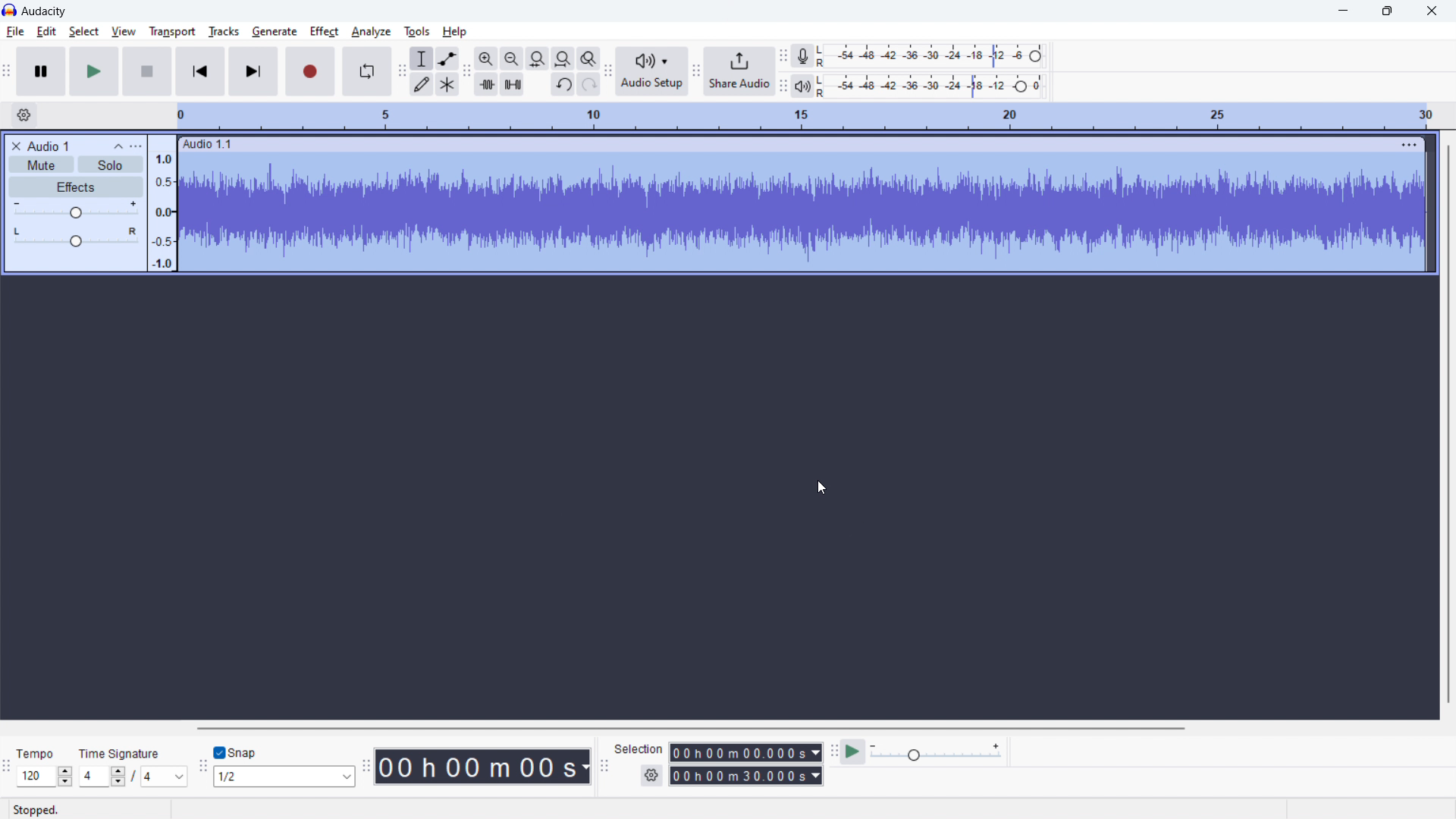 Image resolution: width=1456 pixels, height=819 pixels. What do you see at coordinates (485, 767) in the screenshot?
I see `timestamp` at bounding box center [485, 767].